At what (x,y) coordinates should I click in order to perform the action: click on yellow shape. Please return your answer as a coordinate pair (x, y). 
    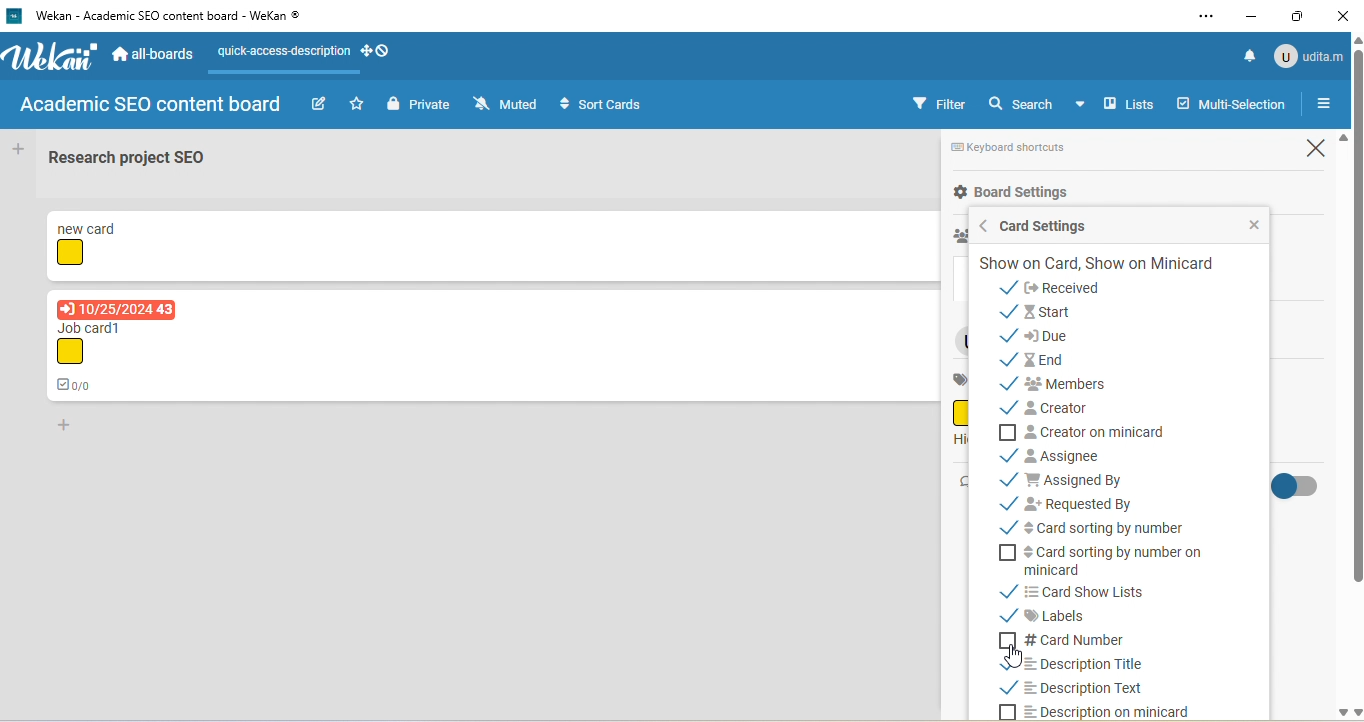
    Looking at the image, I should click on (72, 352).